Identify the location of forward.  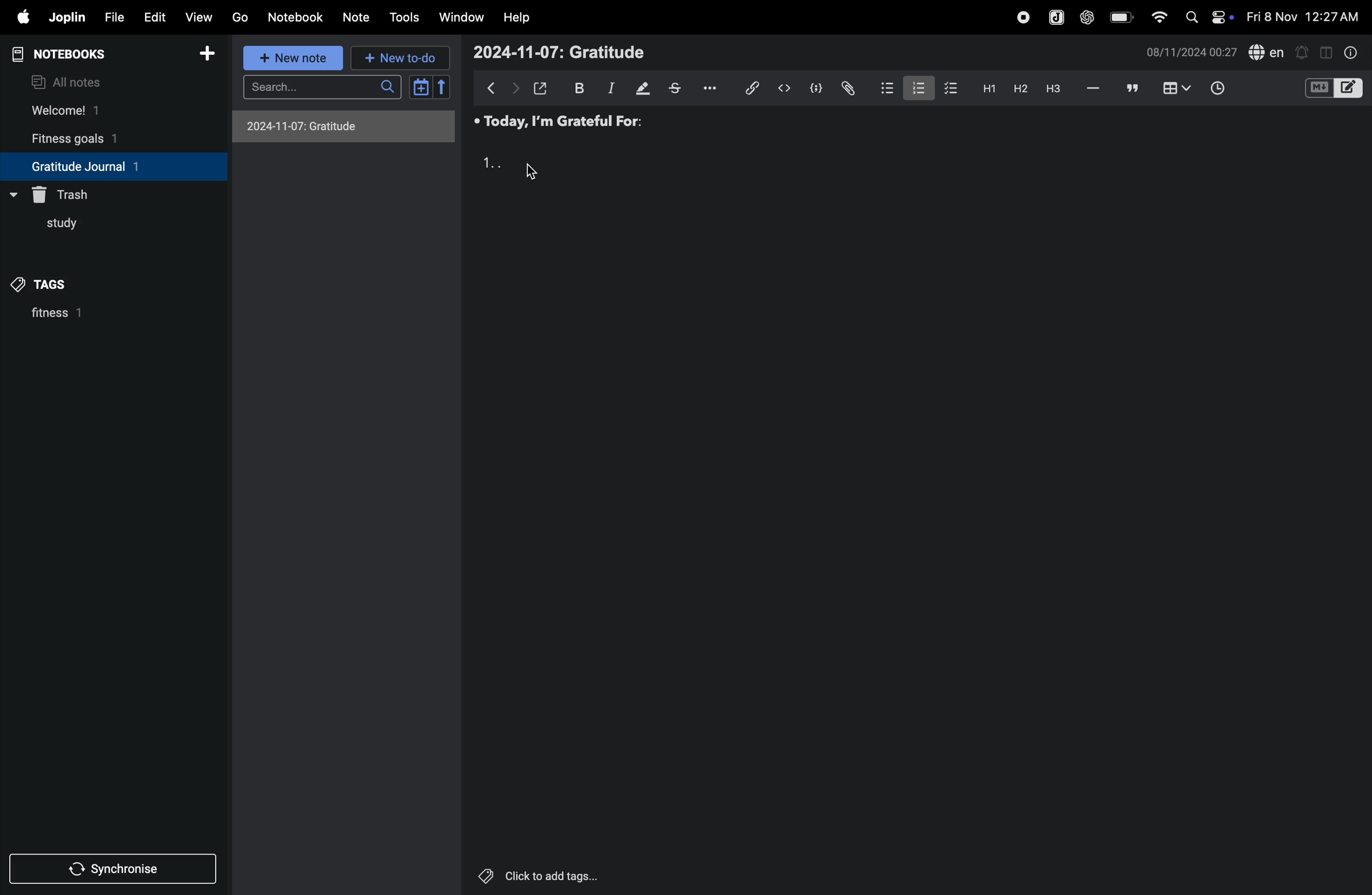
(515, 89).